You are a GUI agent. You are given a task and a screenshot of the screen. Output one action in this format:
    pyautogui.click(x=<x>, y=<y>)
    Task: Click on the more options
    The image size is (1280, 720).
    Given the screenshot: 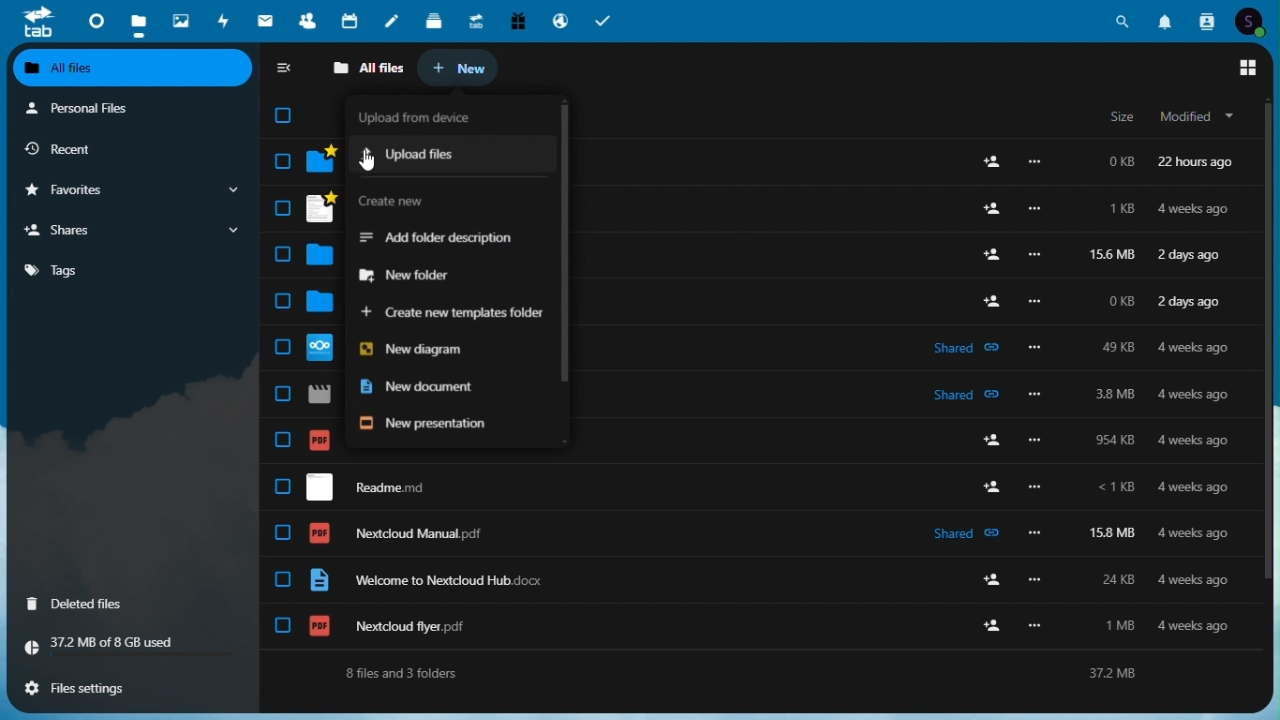 What is the action you would take?
    pyautogui.click(x=1036, y=439)
    